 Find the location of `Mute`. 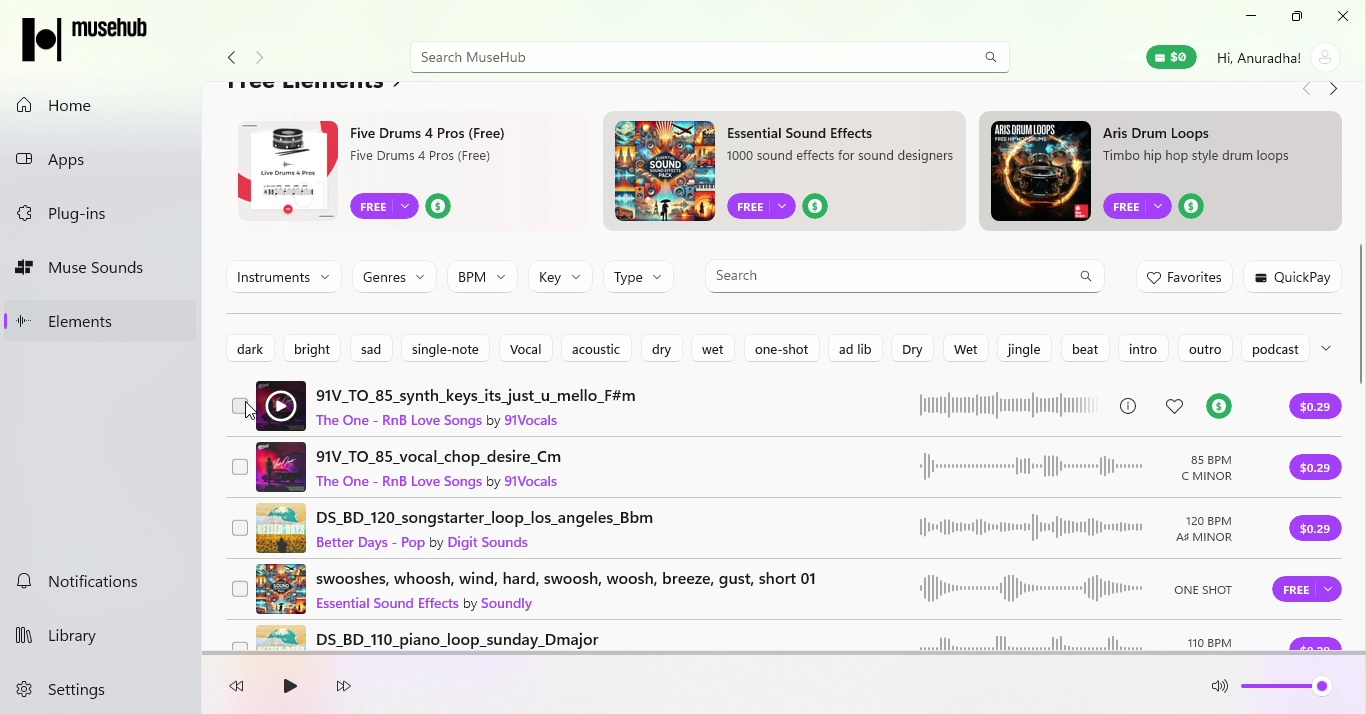

Mute is located at coordinates (1220, 690).